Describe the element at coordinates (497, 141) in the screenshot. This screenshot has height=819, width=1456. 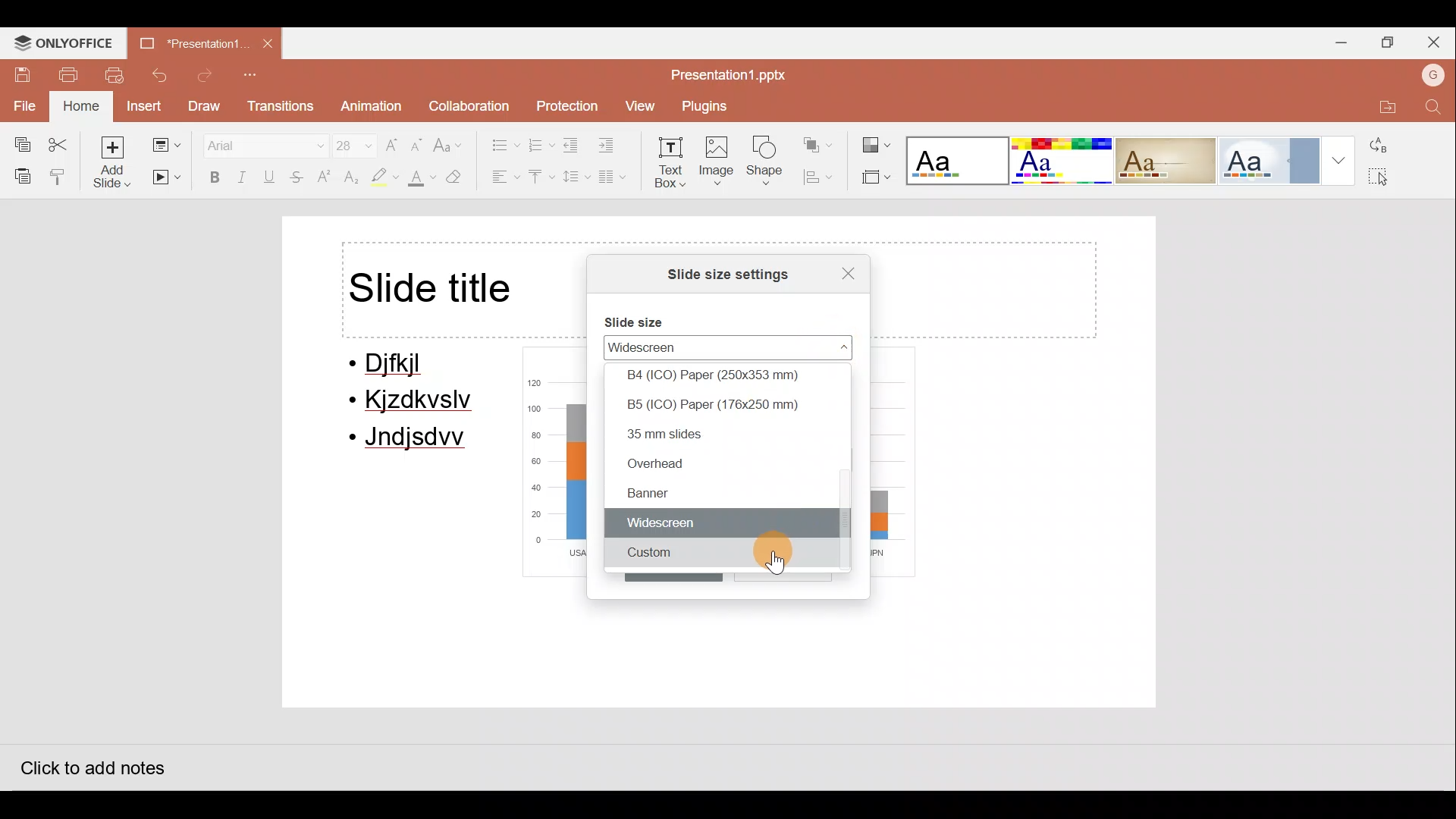
I see `Bullets` at that location.